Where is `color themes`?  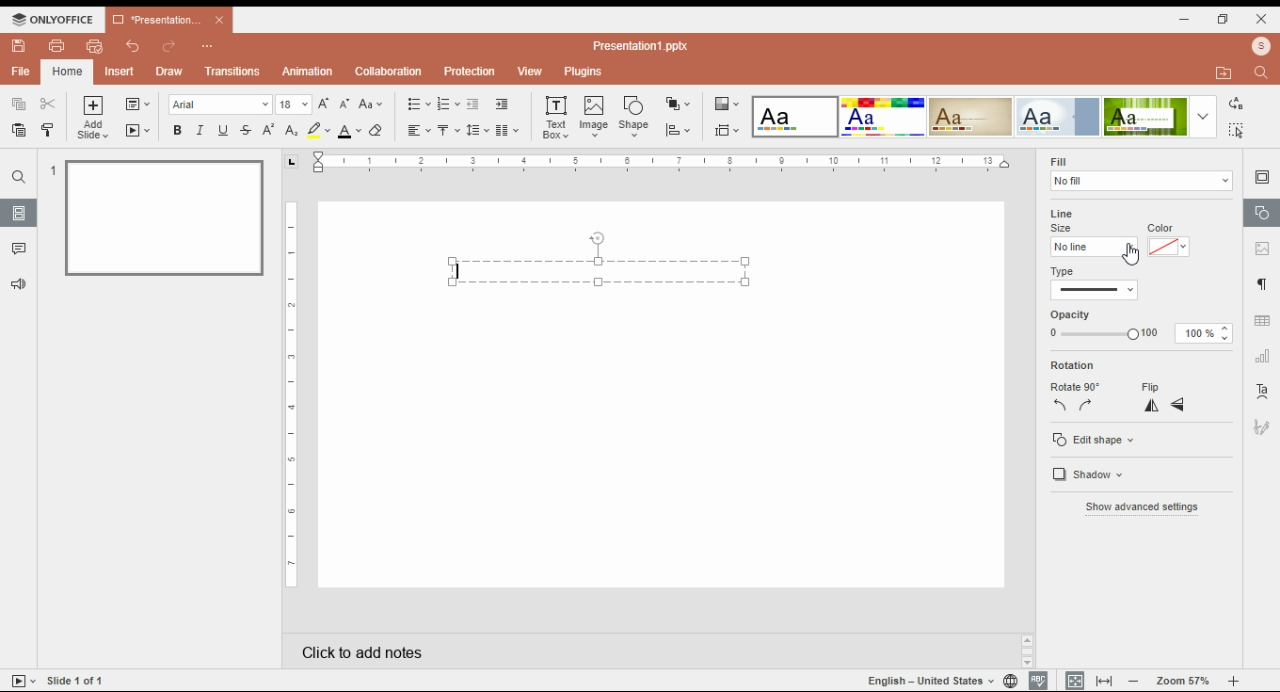
color themes is located at coordinates (726, 104).